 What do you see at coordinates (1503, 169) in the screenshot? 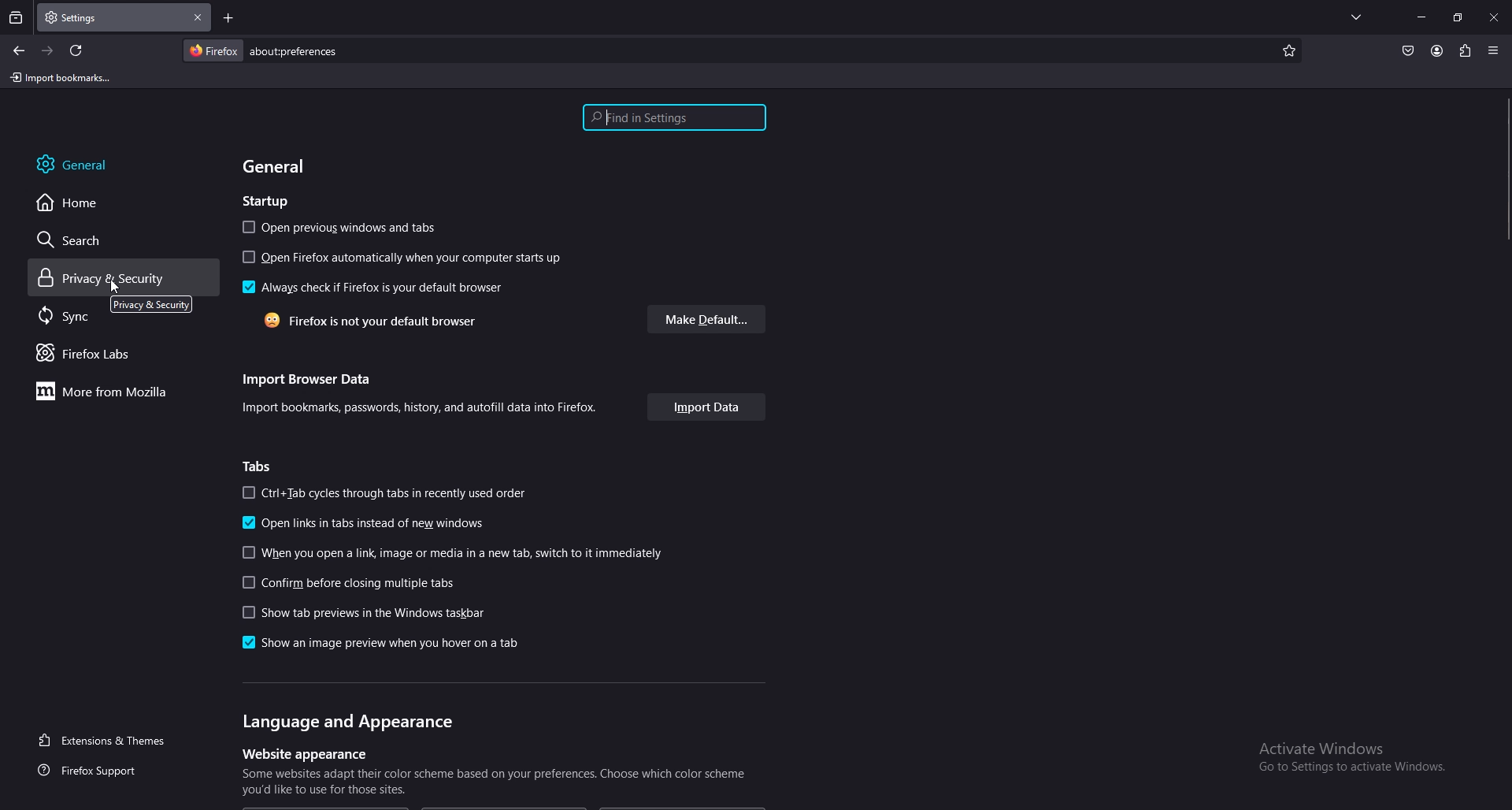
I see `scroll bar` at bounding box center [1503, 169].